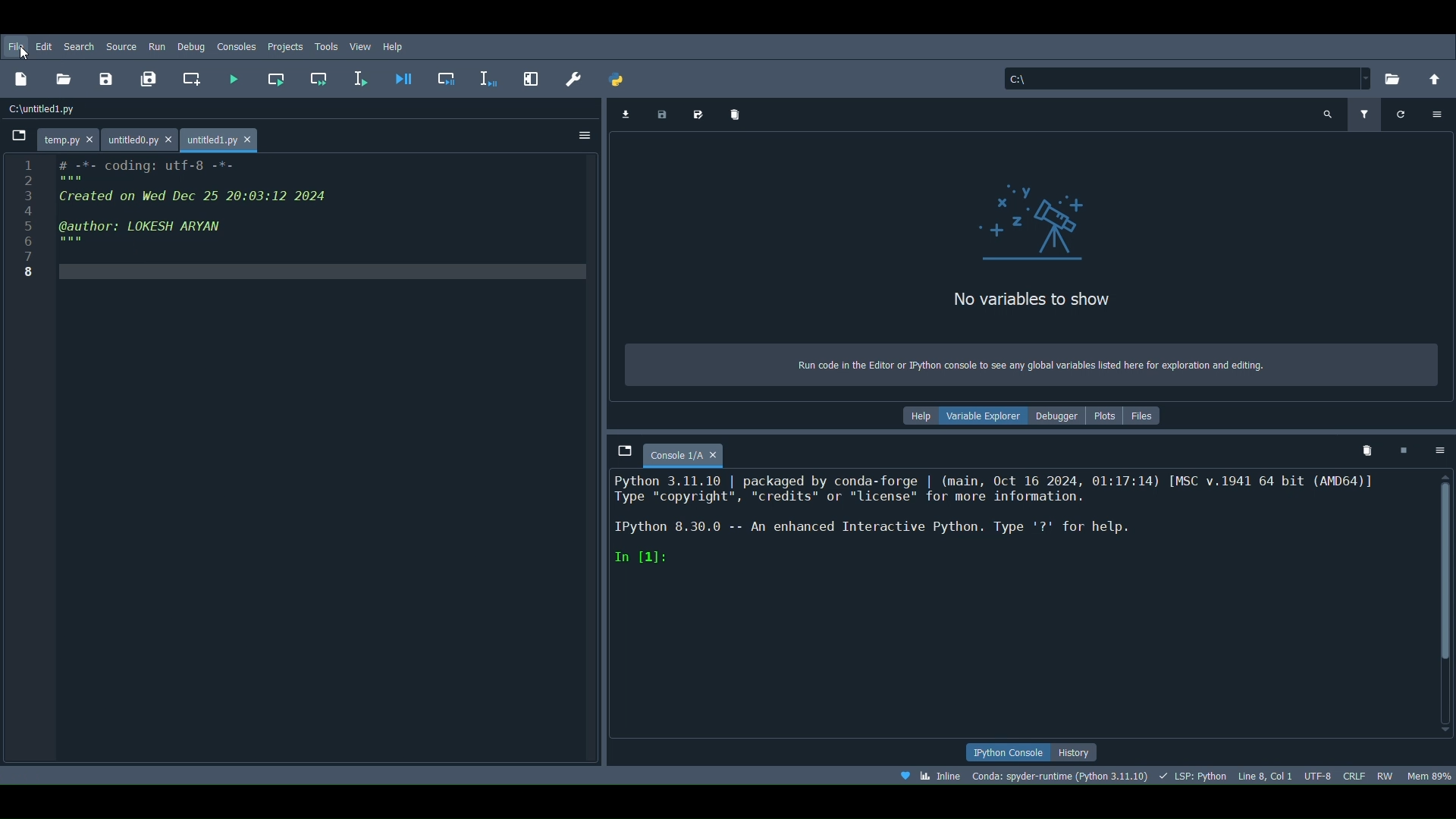  Describe the element at coordinates (362, 45) in the screenshot. I see `View` at that location.